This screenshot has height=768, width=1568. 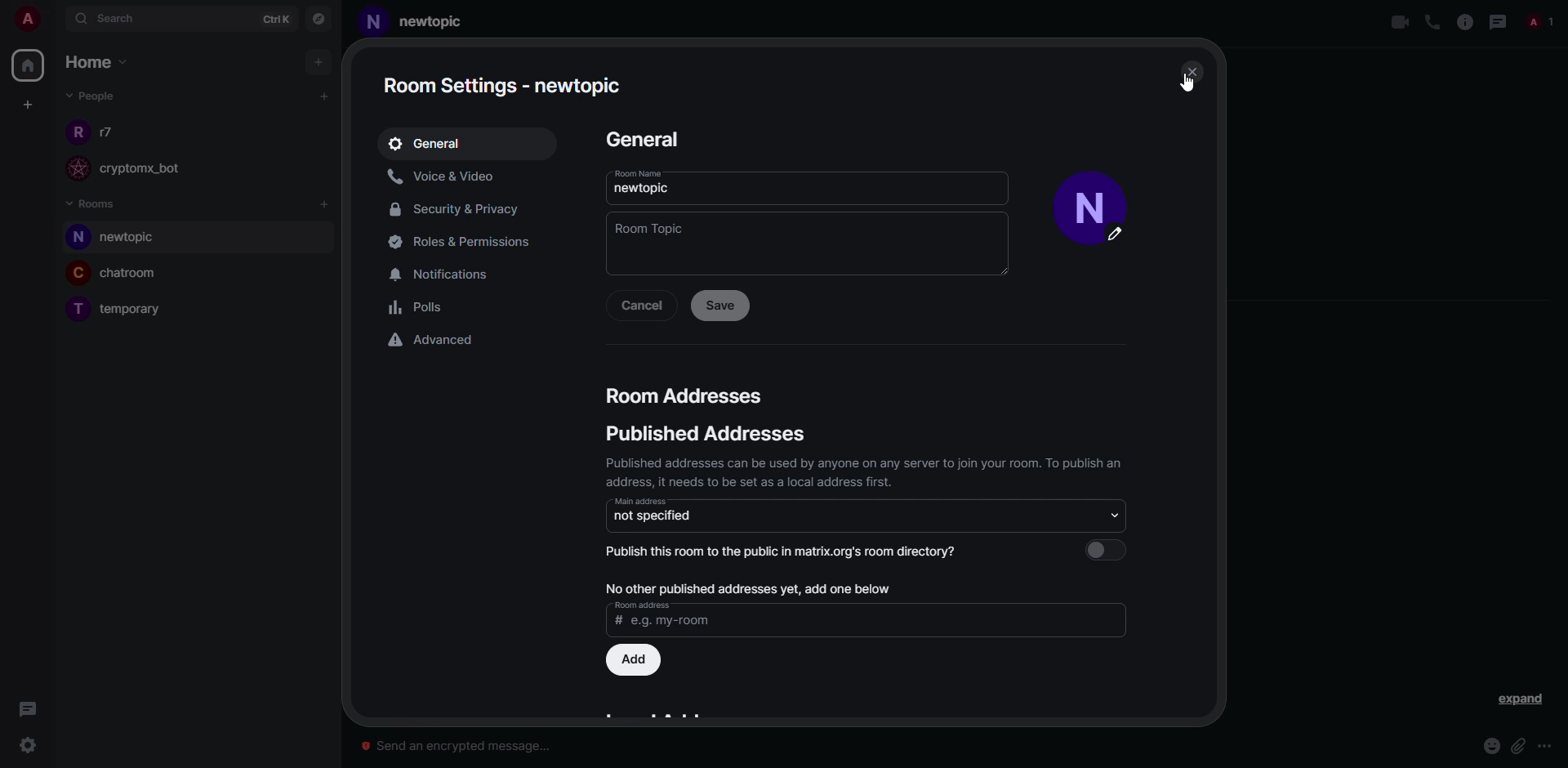 I want to click on profile image, so click(x=74, y=311).